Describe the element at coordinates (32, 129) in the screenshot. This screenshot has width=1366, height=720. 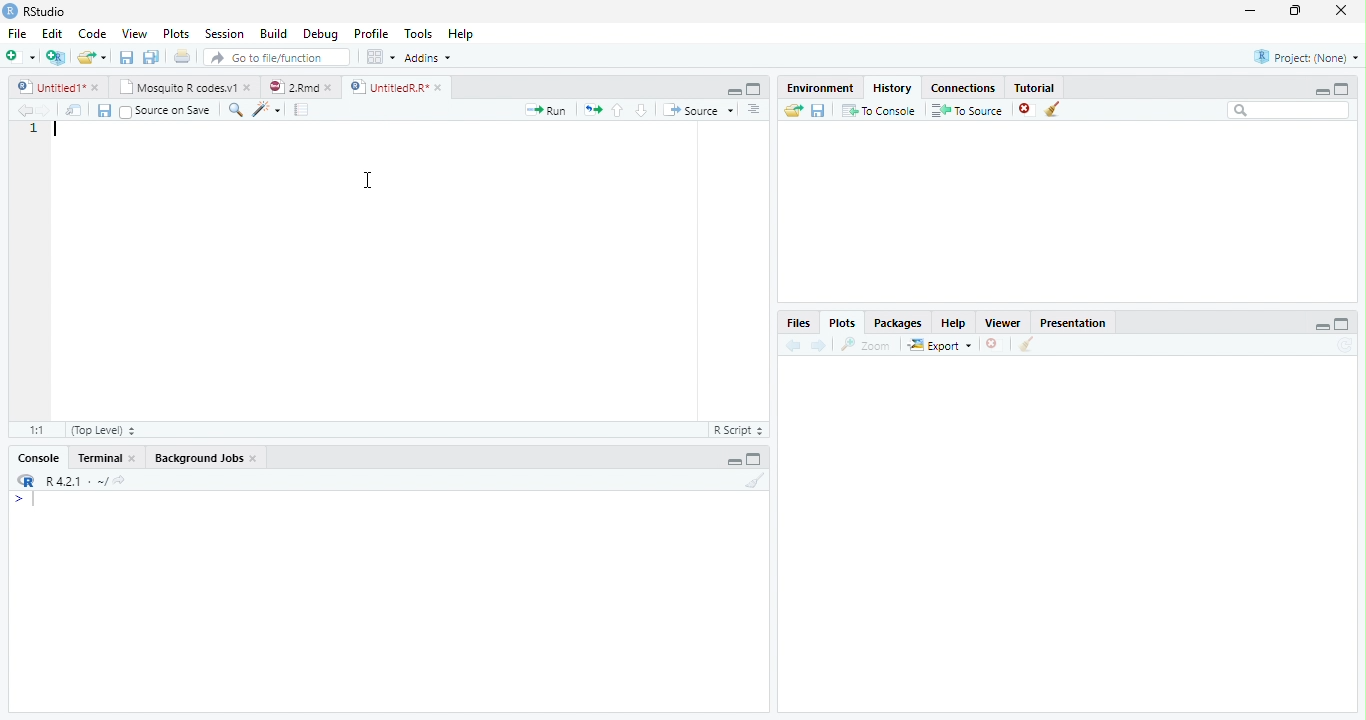
I see `1` at that location.